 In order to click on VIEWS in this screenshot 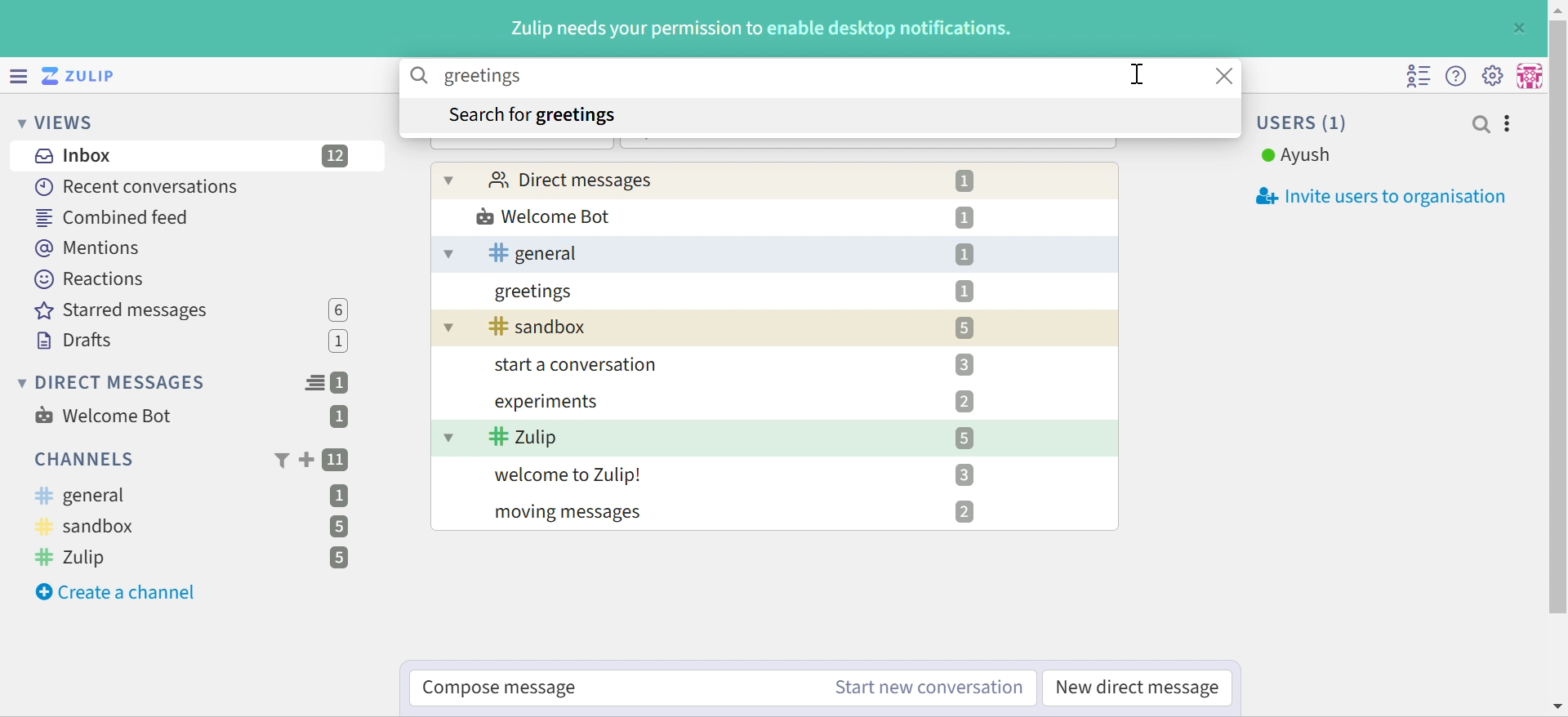, I will do `click(59, 124)`.